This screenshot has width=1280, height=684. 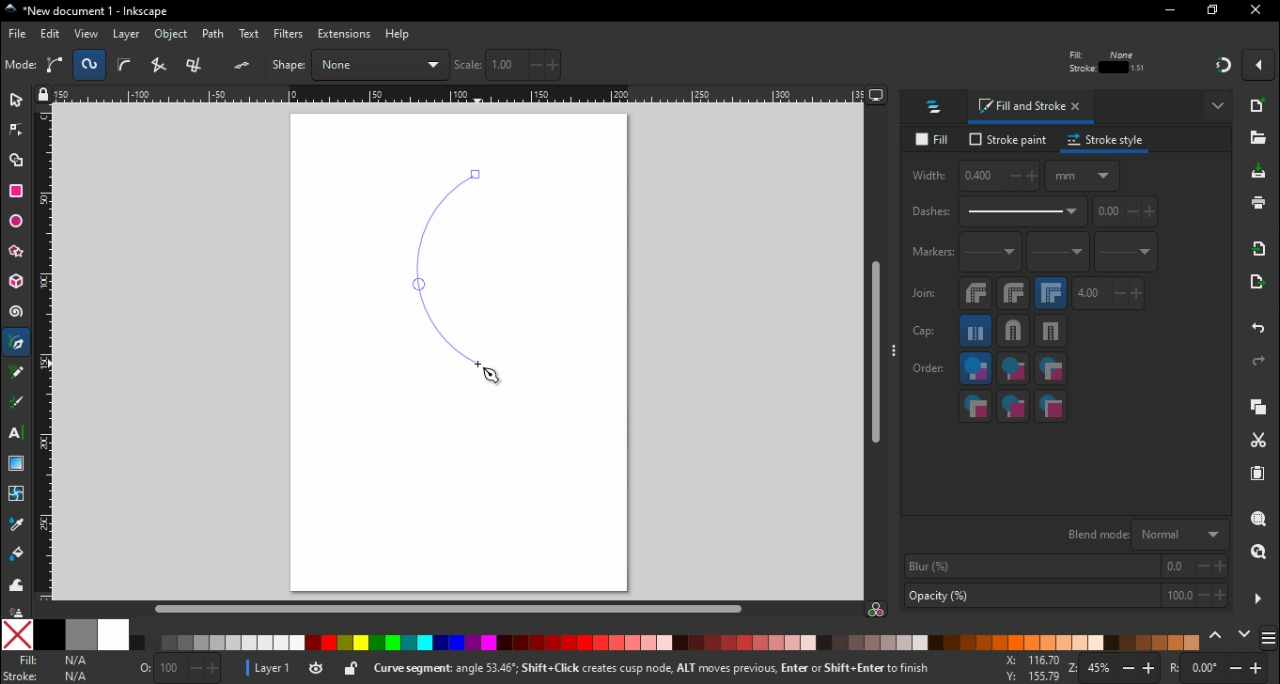 I want to click on zoom im/zoom out, so click(x=1118, y=668).